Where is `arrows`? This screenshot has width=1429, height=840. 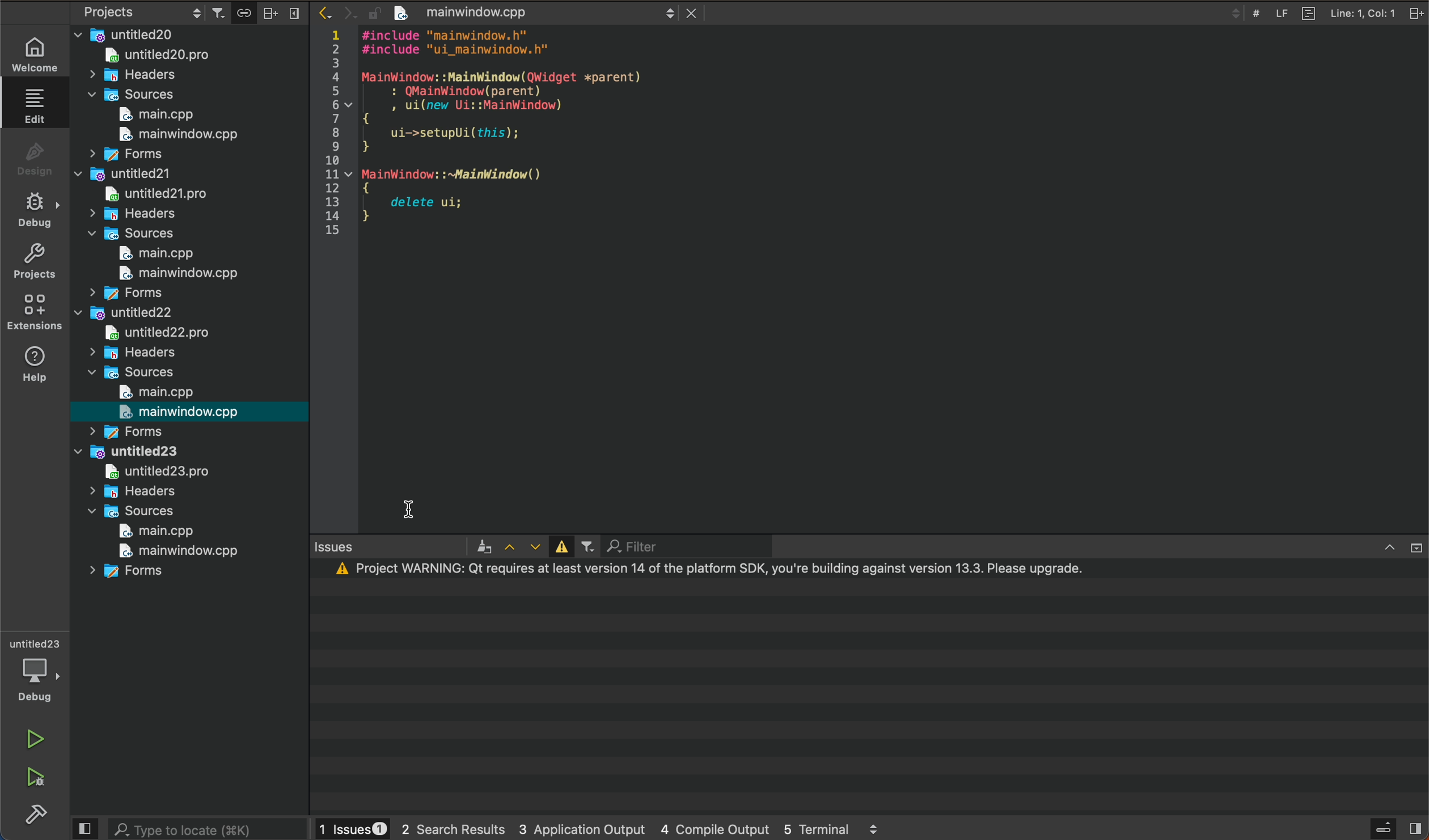 arrows is located at coordinates (521, 547).